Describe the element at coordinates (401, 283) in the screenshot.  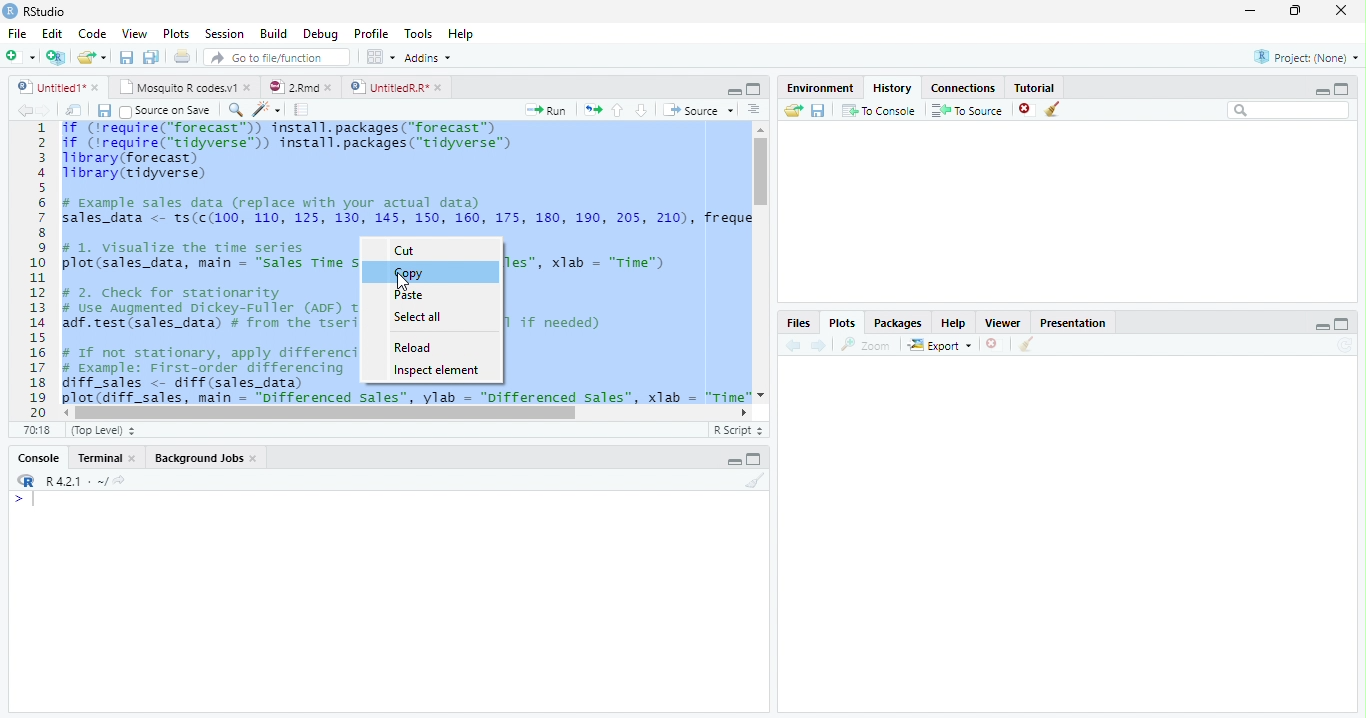
I see `Cursor` at that location.